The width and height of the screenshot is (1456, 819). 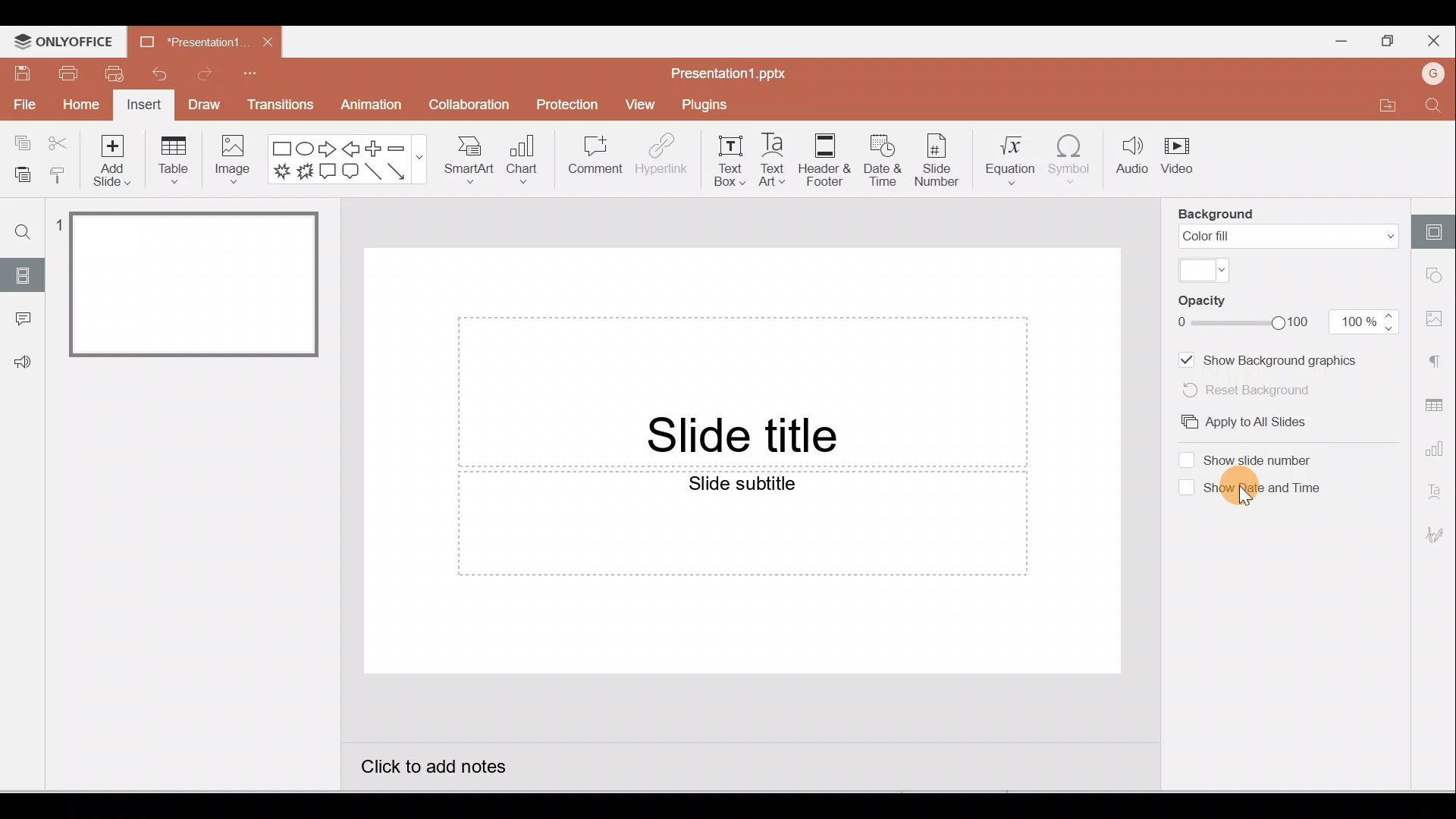 What do you see at coordinates (1437, 42) in the screenshot?
I see `Close` at bounding box center [1437, 42].